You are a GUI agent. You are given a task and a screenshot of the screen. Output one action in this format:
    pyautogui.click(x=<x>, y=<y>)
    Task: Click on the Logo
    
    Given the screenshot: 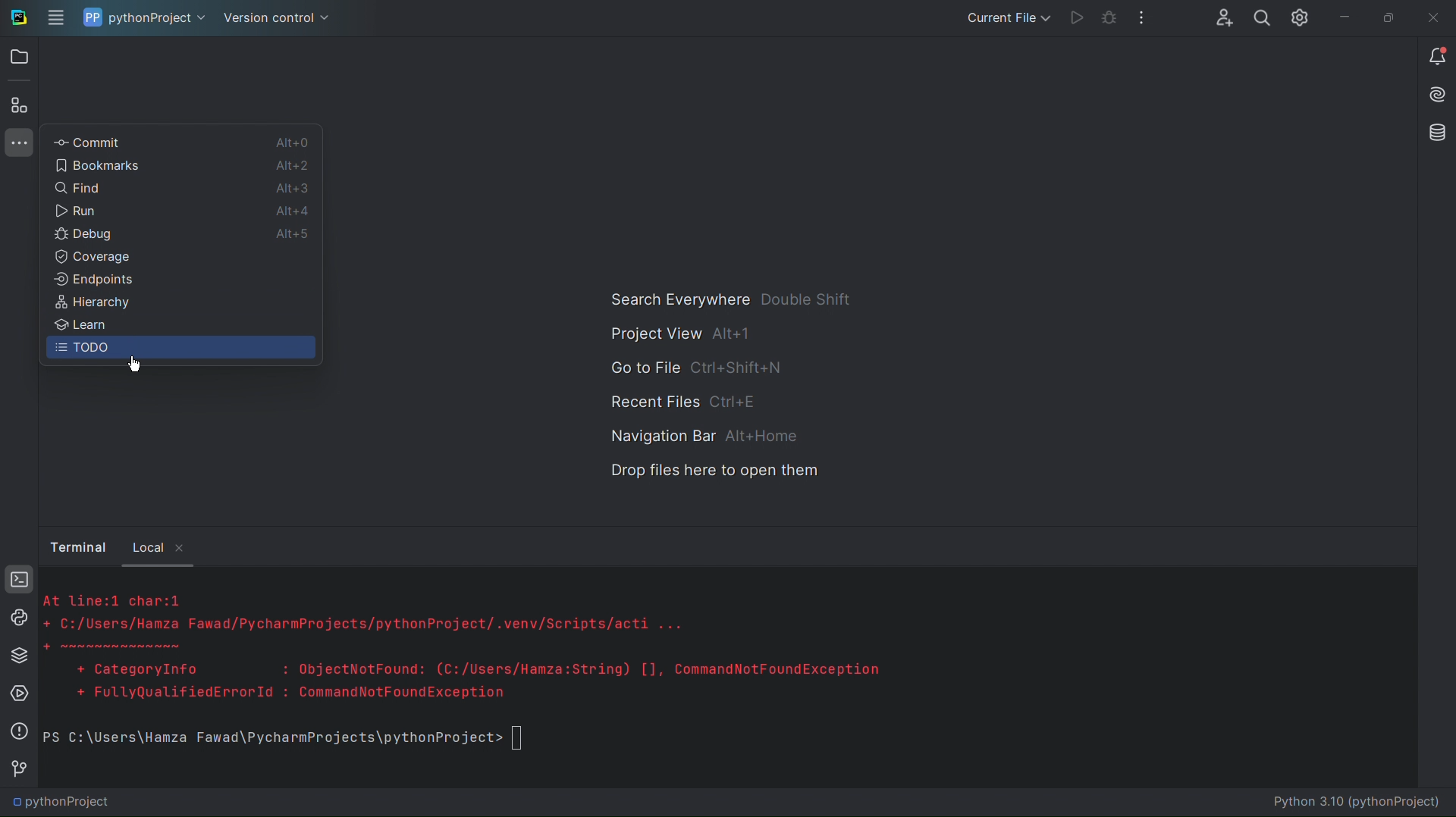 What is the action you would take?
    pyautogui.click(x=17, y=16)
    